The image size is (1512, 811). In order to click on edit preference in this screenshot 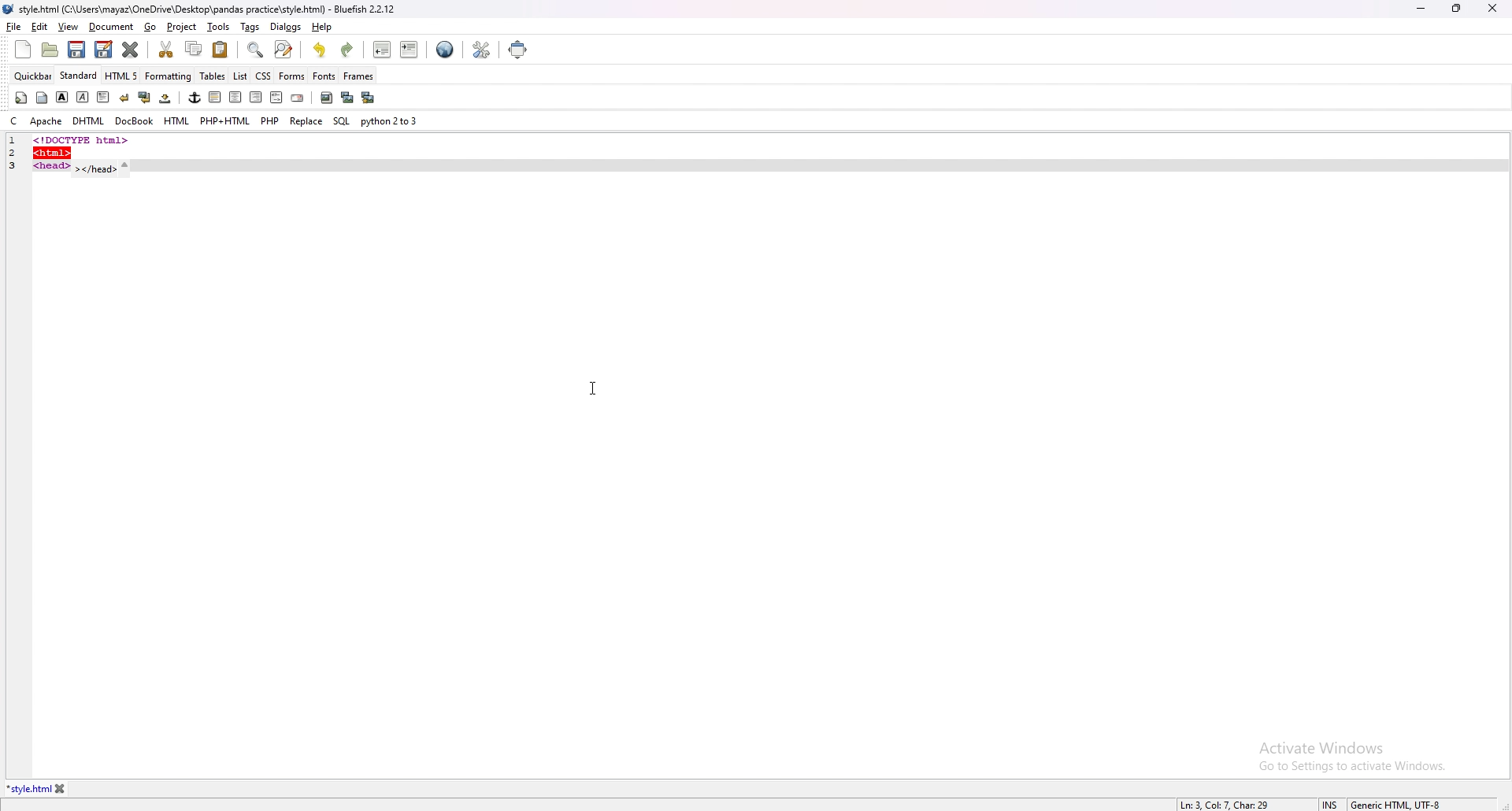, I will do `click(480, 49)`.